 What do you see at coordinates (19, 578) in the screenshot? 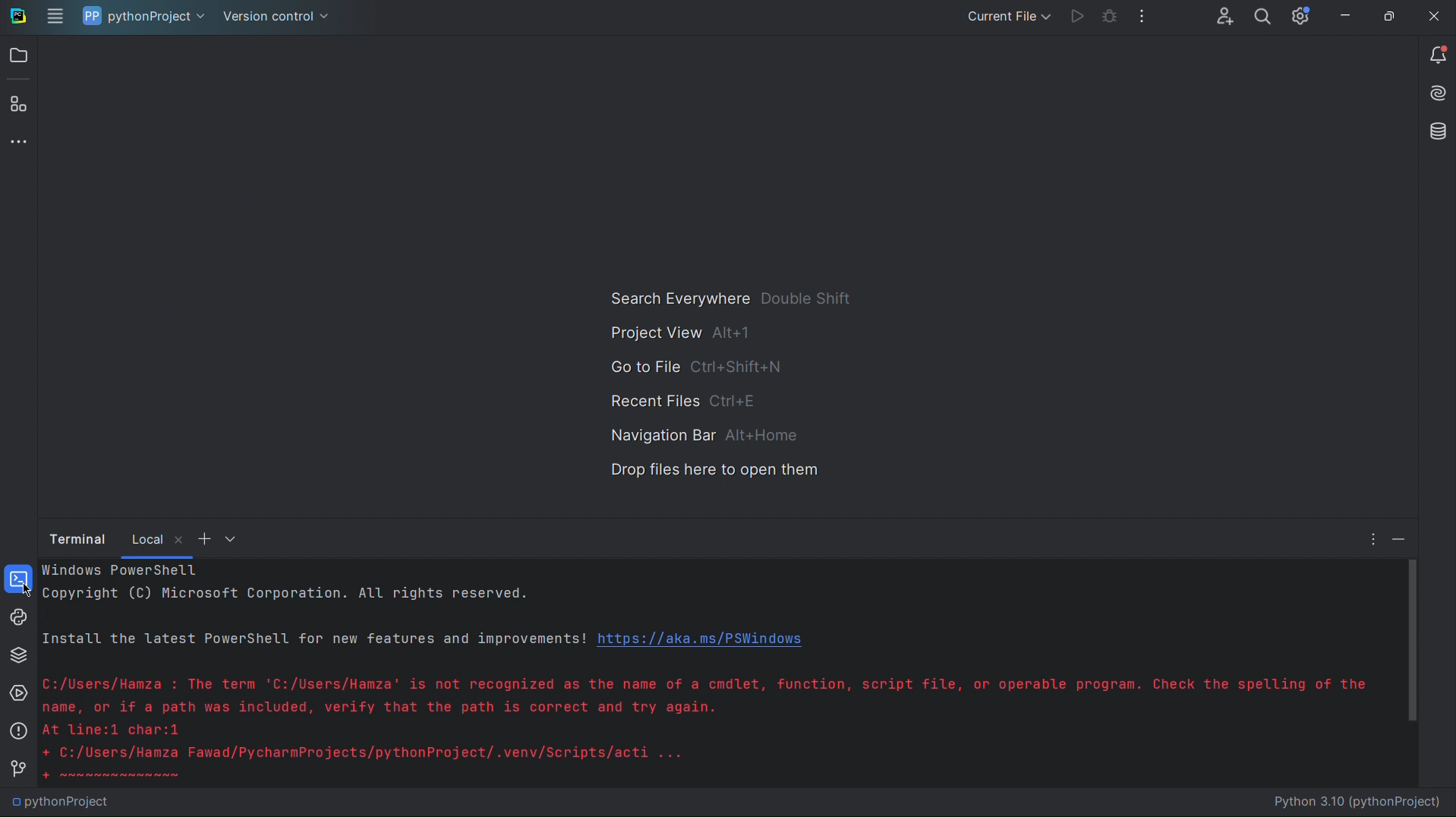
I see `Terminal` at bounding box center [19, 578].